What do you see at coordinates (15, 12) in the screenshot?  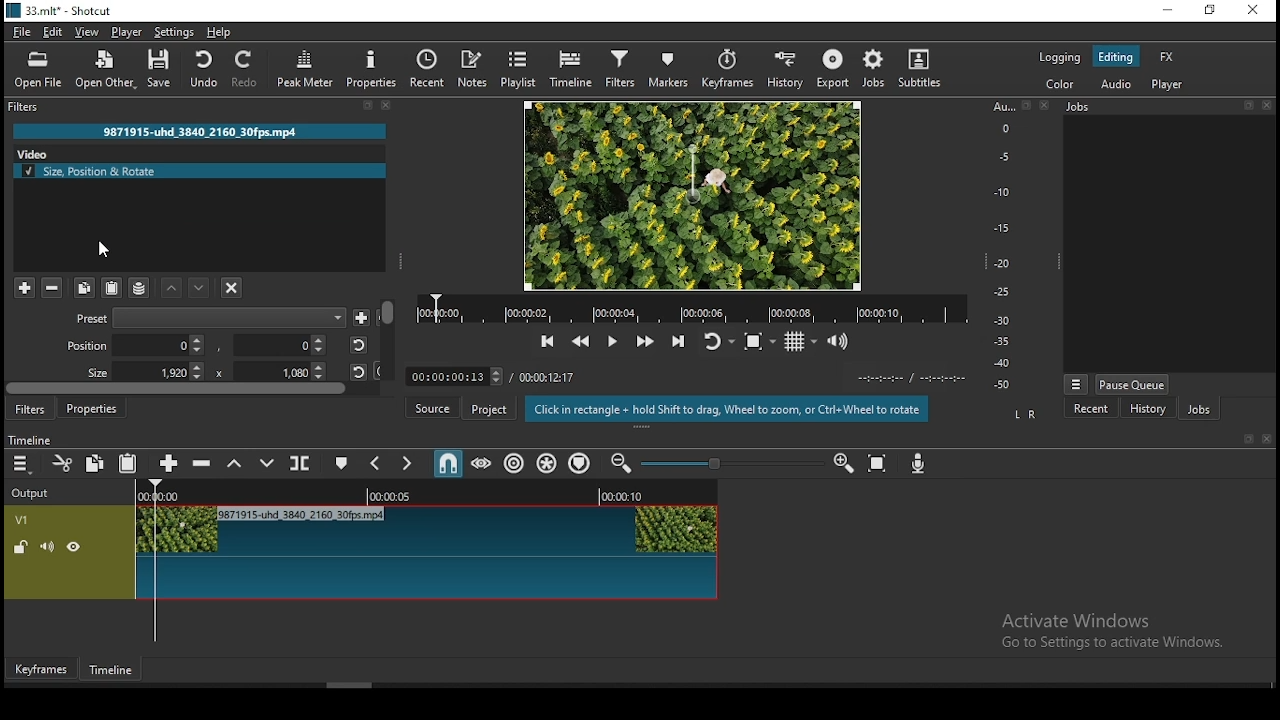 I see `logo` at bounding box center [15, 12].